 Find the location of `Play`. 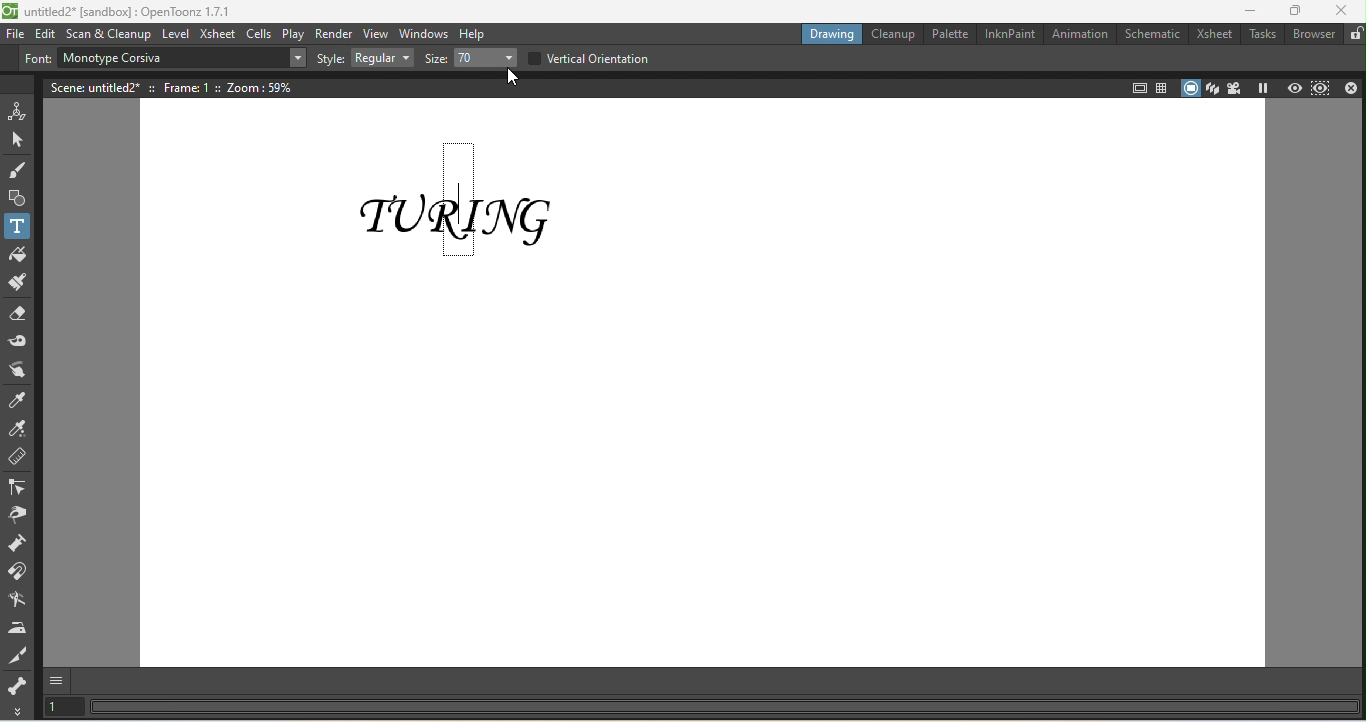

Play is located at coordinates (293, 33).